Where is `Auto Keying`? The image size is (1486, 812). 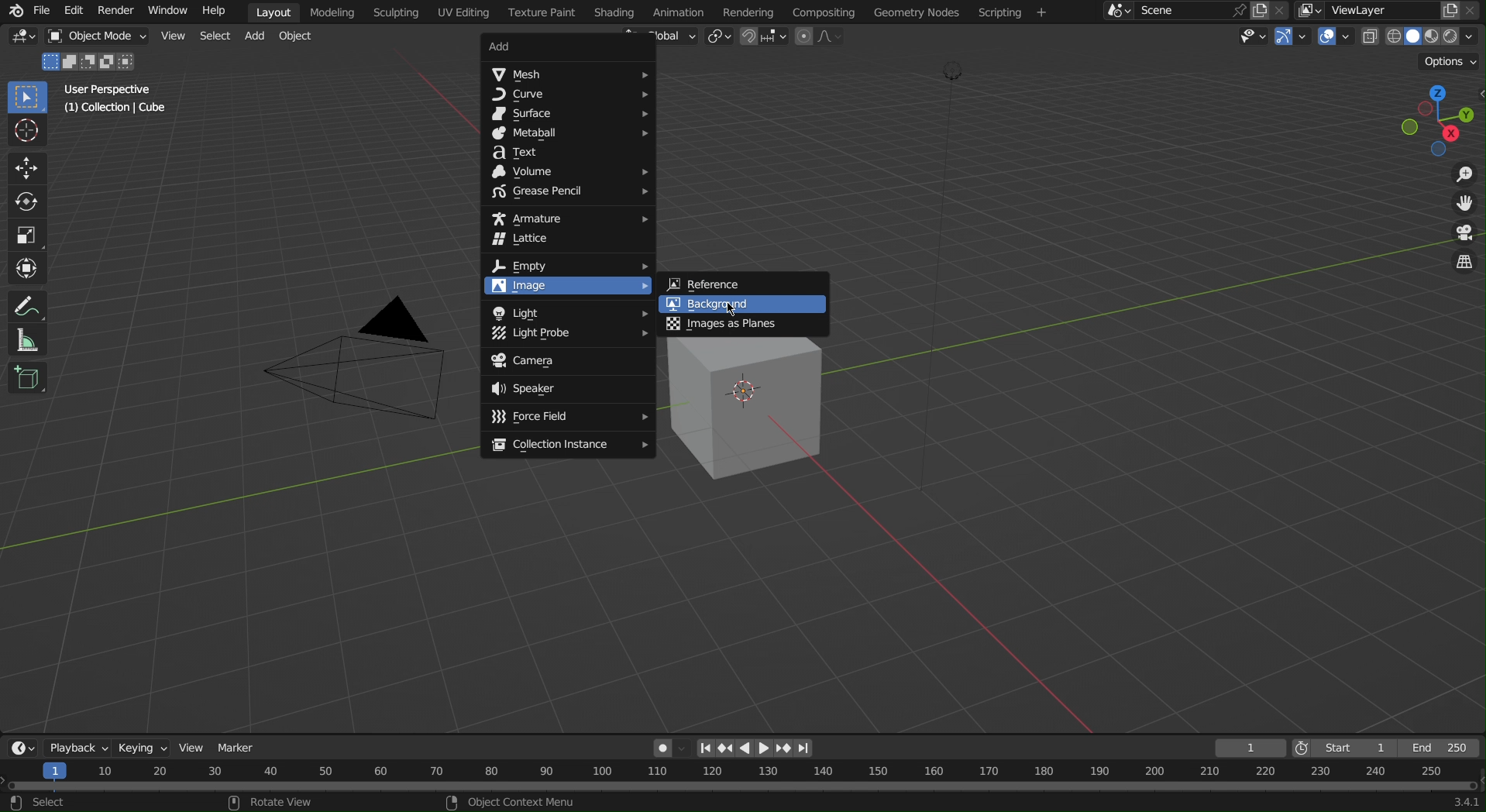
Auto Keying is located at coordinates (667, 748).